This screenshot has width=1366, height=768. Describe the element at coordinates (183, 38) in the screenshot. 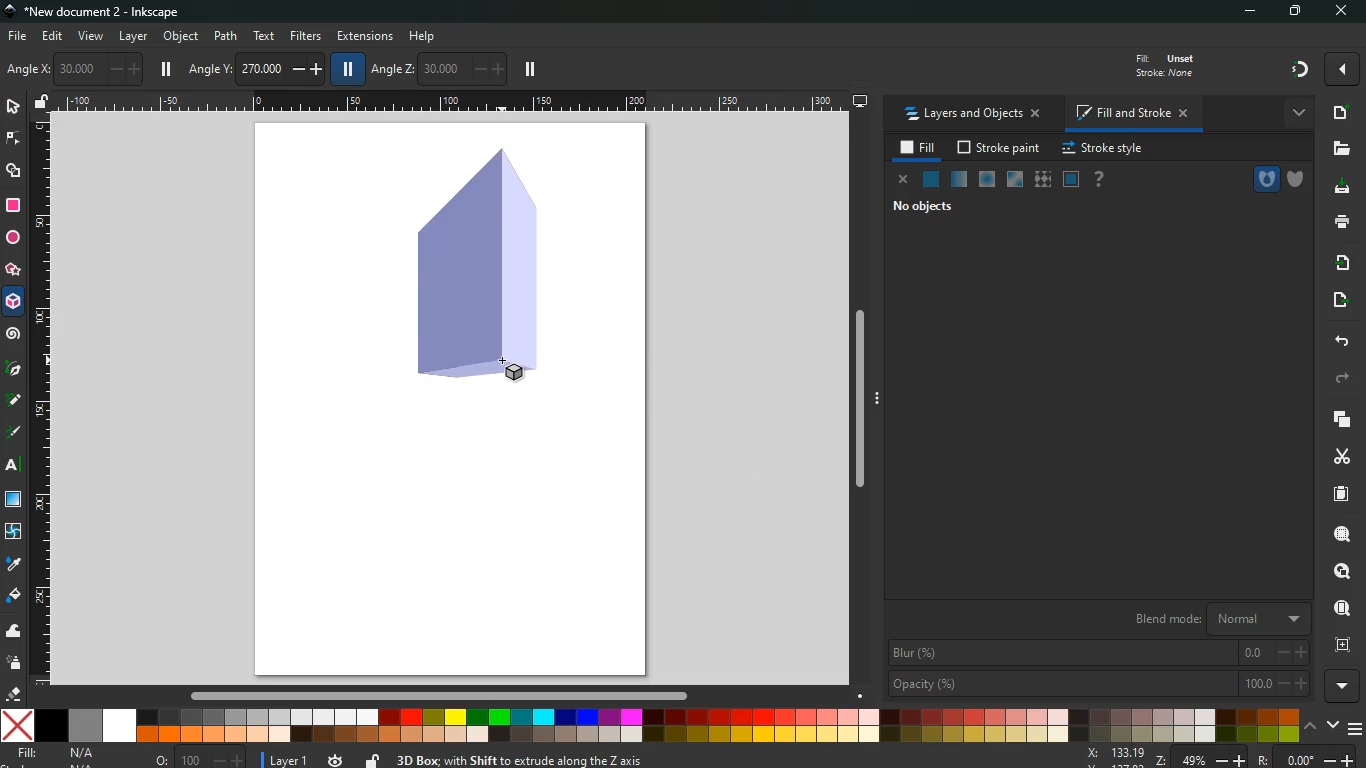

I see `object` at that location.